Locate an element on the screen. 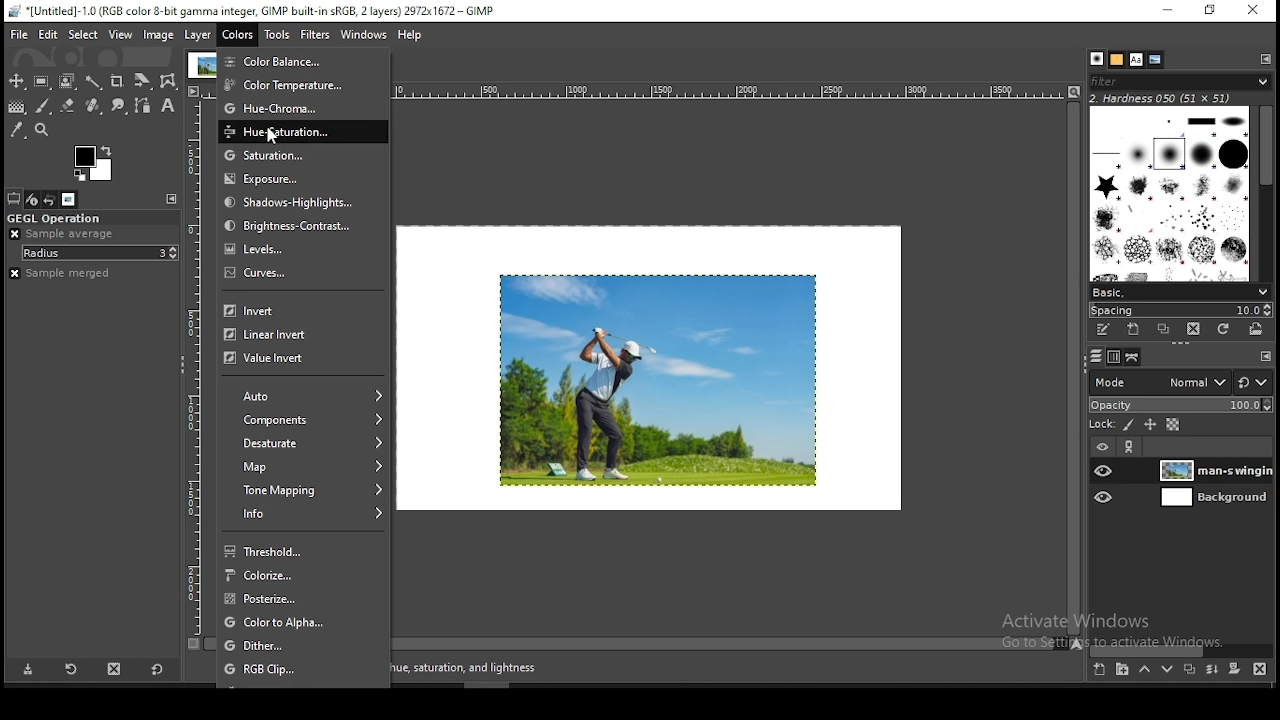 Image resolution: width=1280 pixels, height=720 pixels. new layer group is located at coordinates (1098, 670).